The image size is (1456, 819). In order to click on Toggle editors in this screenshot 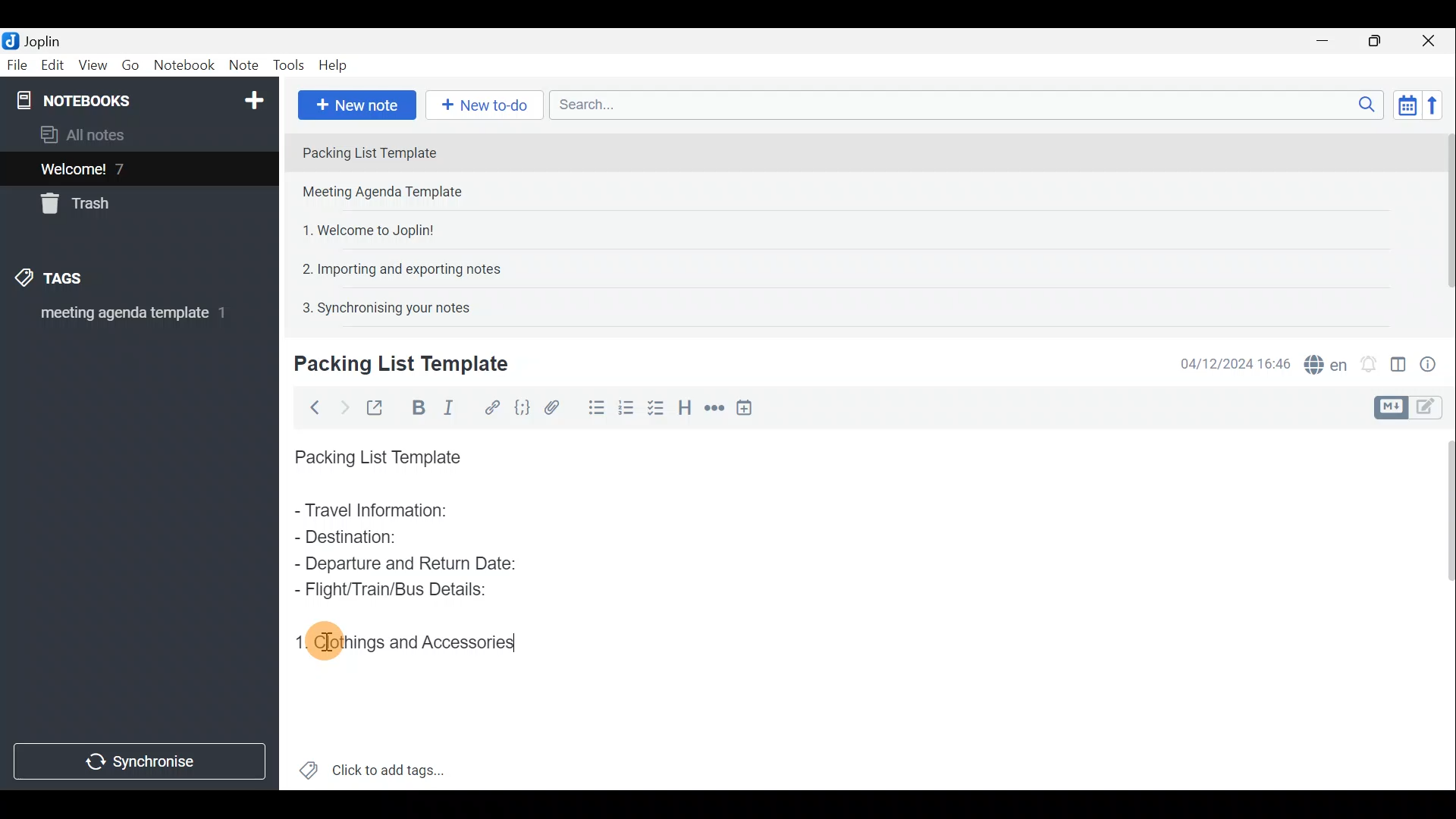, I will do `click(1433, 409)`.